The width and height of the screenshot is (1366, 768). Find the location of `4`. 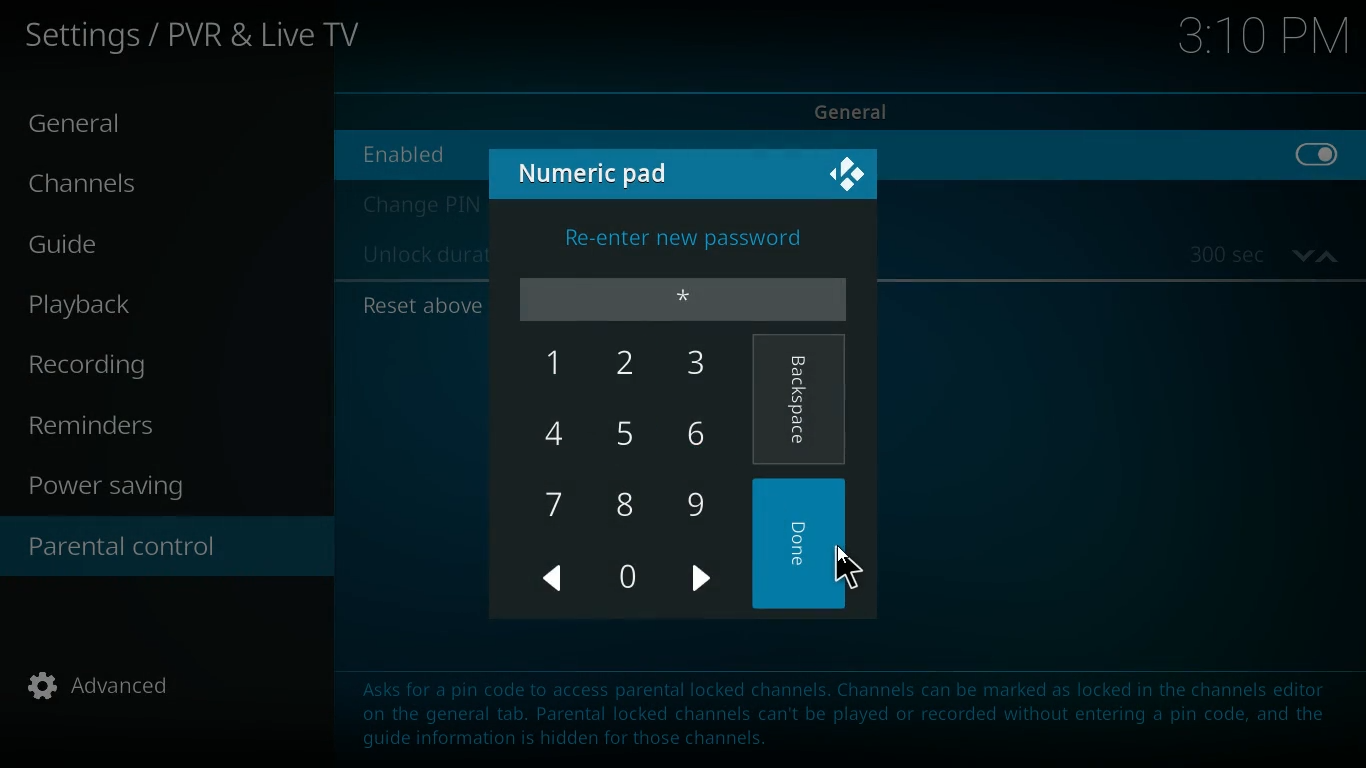

4 is located at coordinates (555, 431).